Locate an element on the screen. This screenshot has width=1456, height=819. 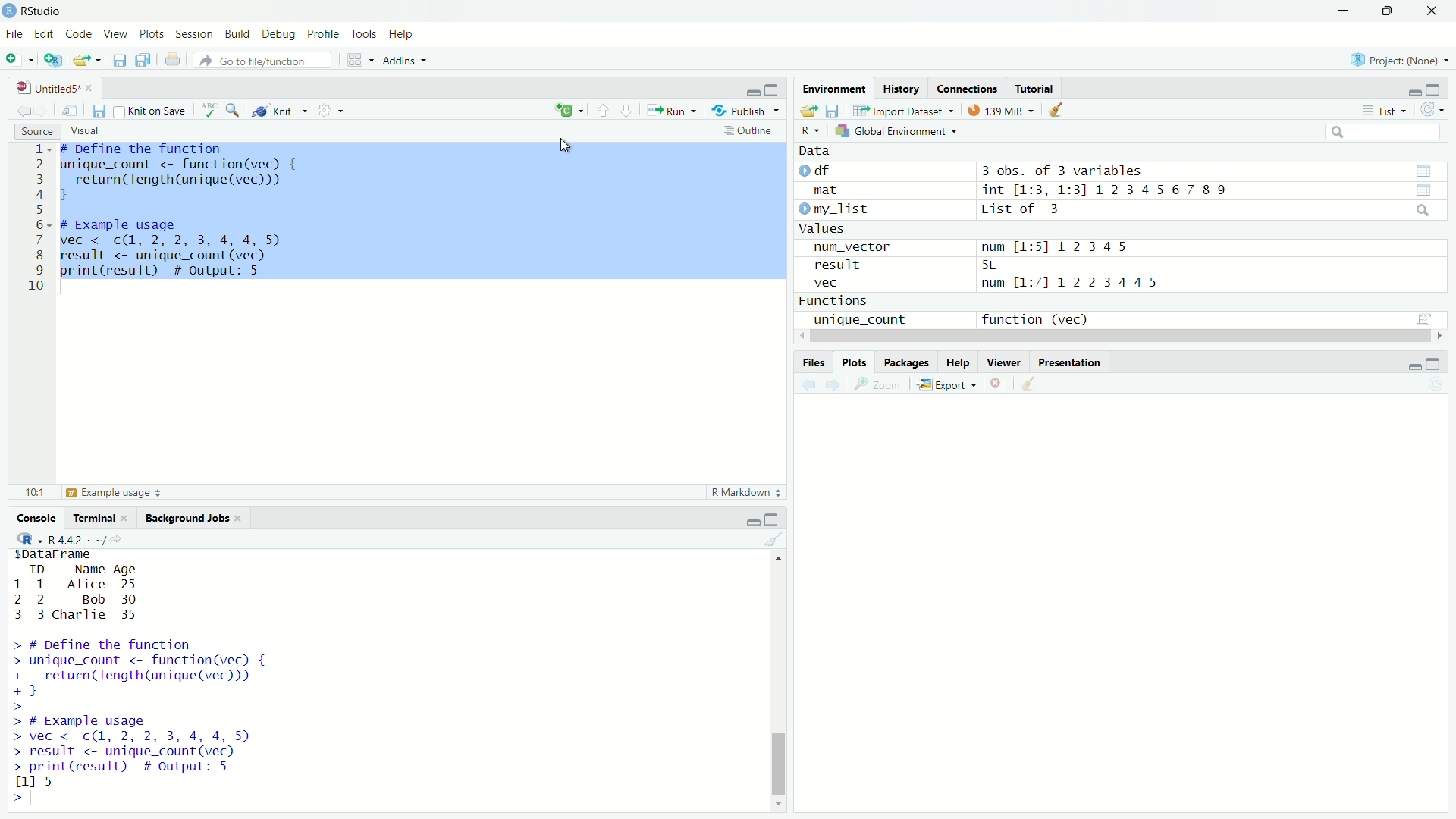
find and replace is located at coordinates (237, 111).